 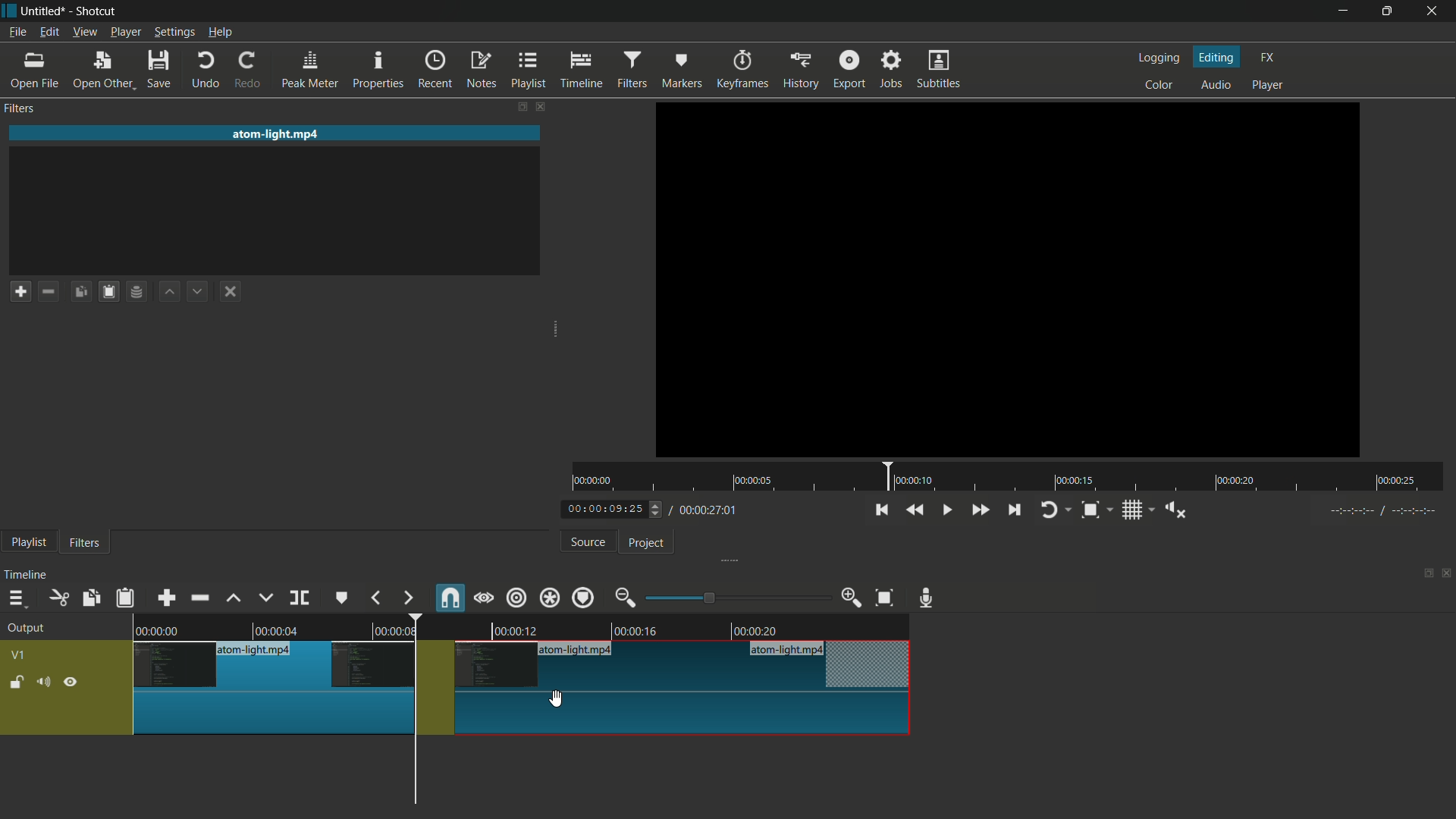 What do you see at coordinates (1437, 11) in the screenshot?
I see `close app` at bounding box center [1437, 11].